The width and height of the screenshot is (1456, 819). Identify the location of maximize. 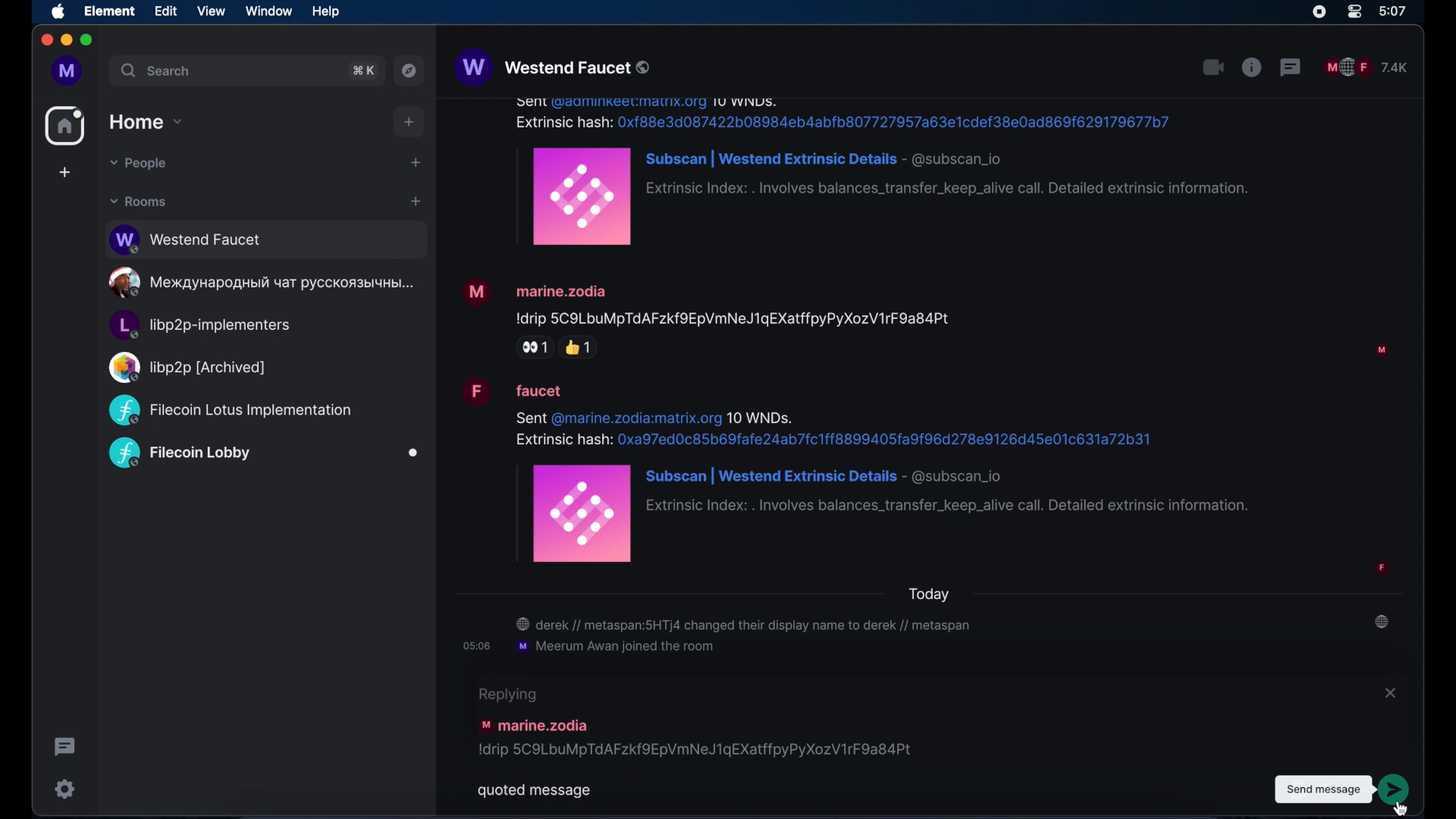
(88, 40).